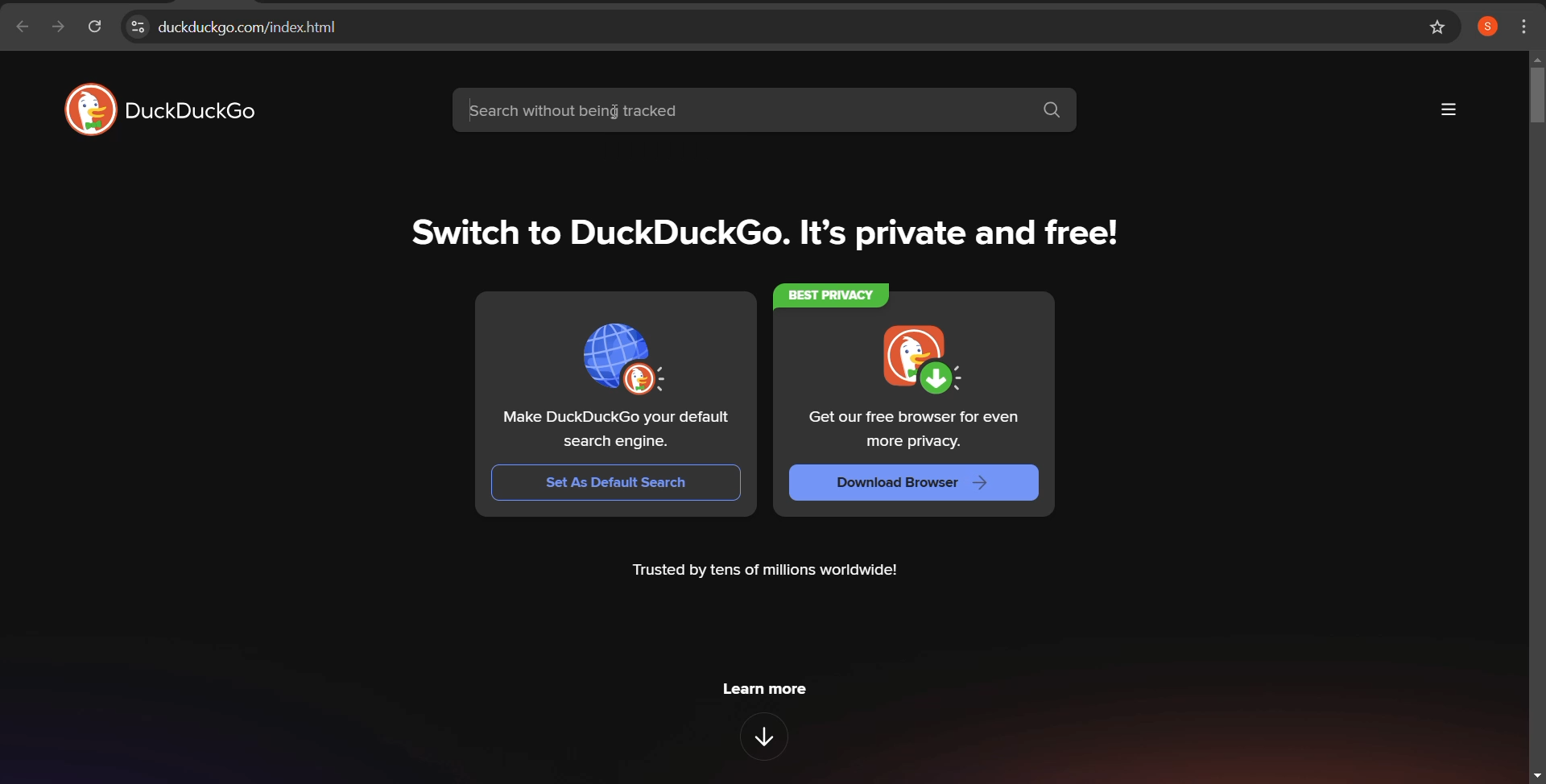 This screenshot has width=1546, height=784. What do you see at coordinates (621, 425) in the screenshot?
I see `Make DuckDuckGo your default search engine.` at bounding box center [621, 425].